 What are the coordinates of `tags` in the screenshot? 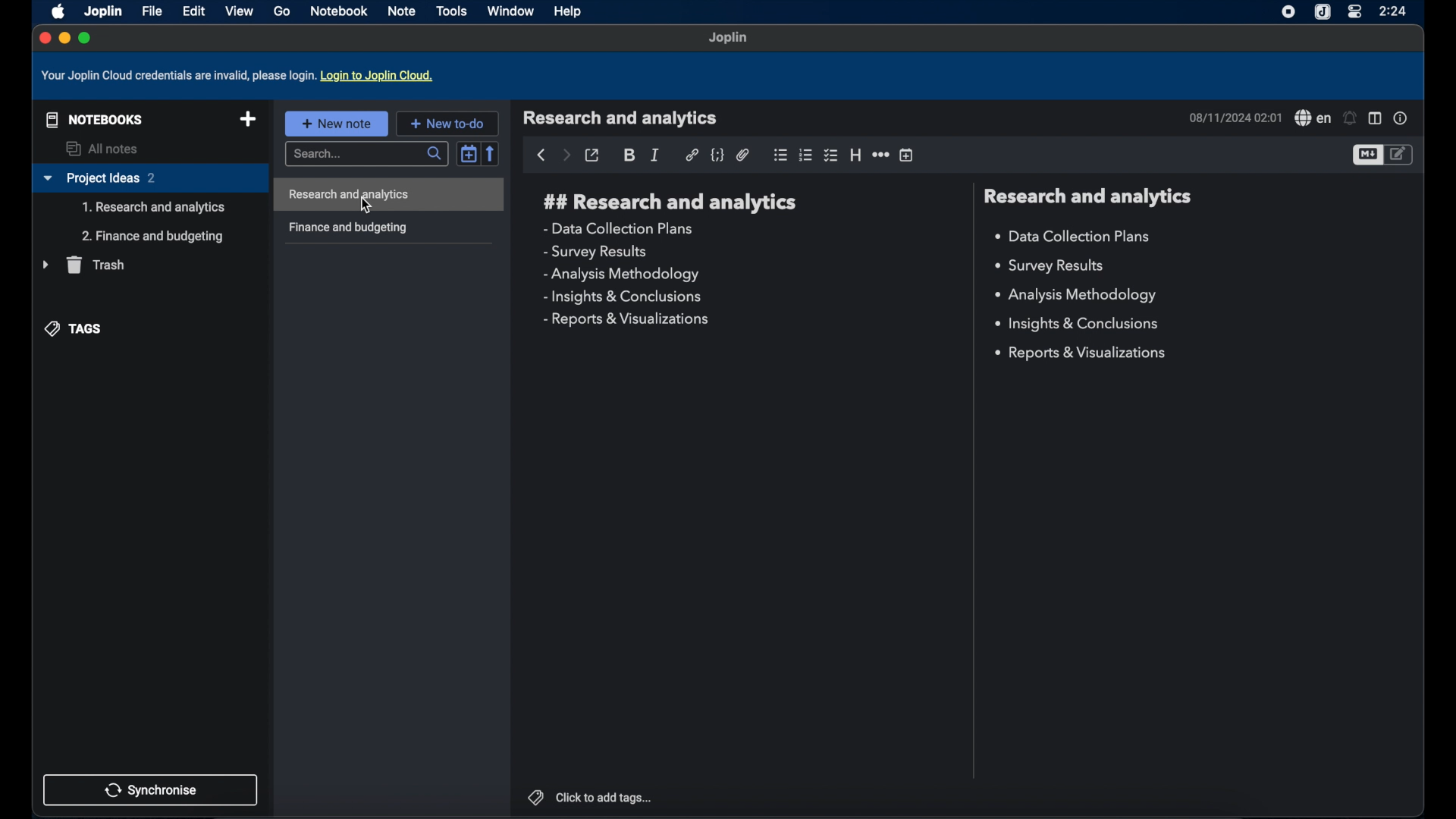 It's located at (75, 328).